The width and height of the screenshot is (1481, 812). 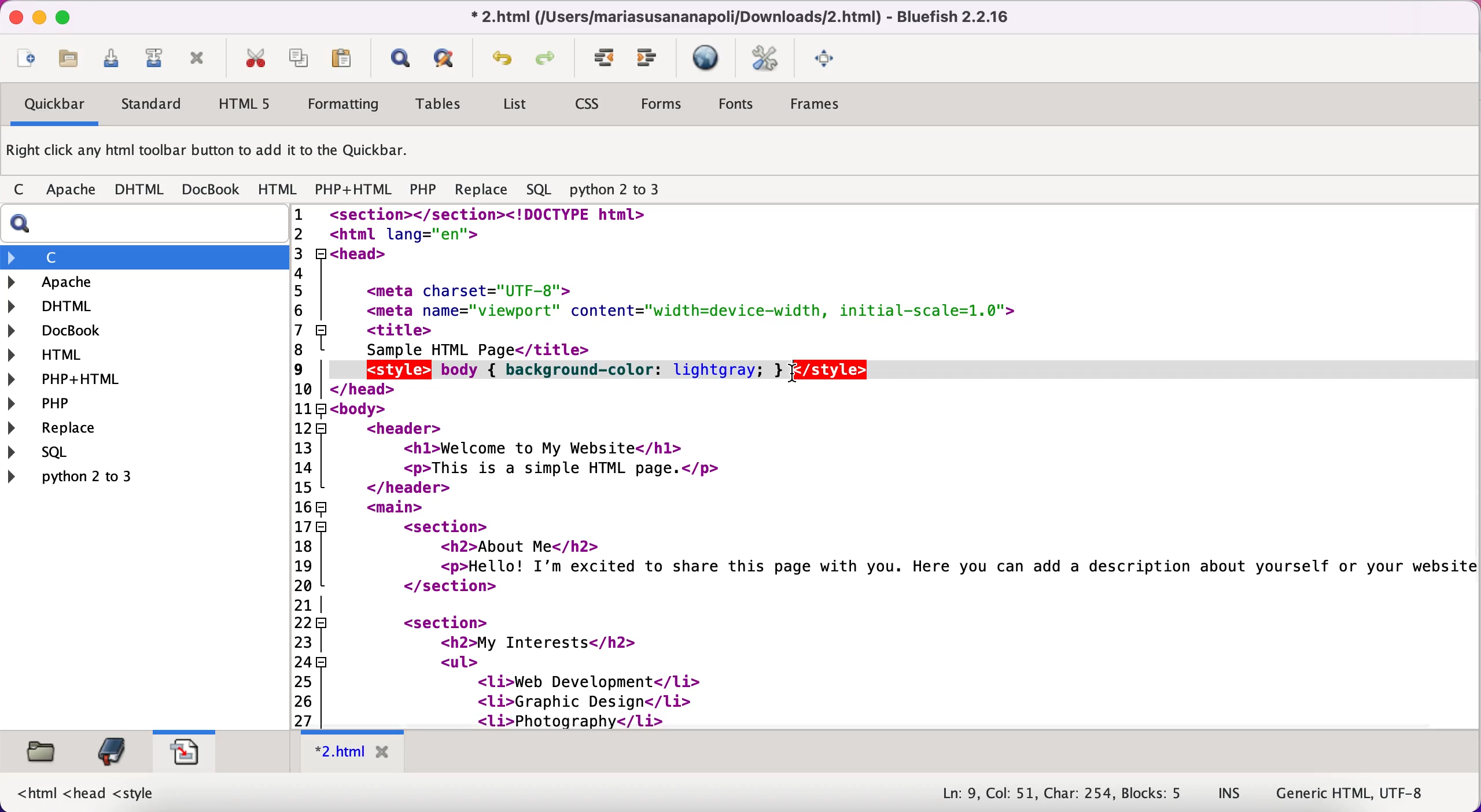 What do you see at coordinates (541, 190) in the screenshot?
I see `sql` at bounding box center [541, 190].